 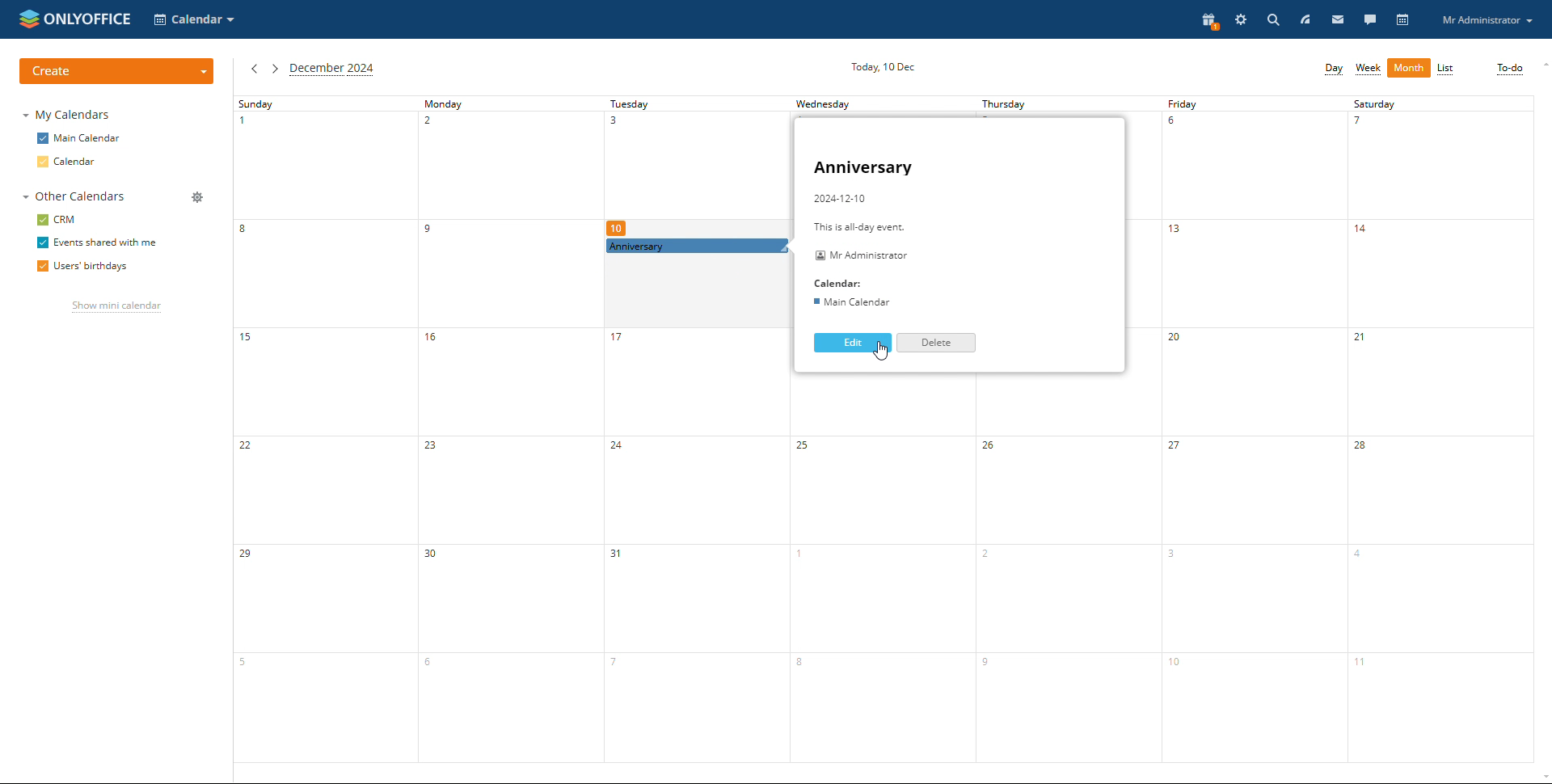 I want to click on scroll down, so click(x=1542, y=778).